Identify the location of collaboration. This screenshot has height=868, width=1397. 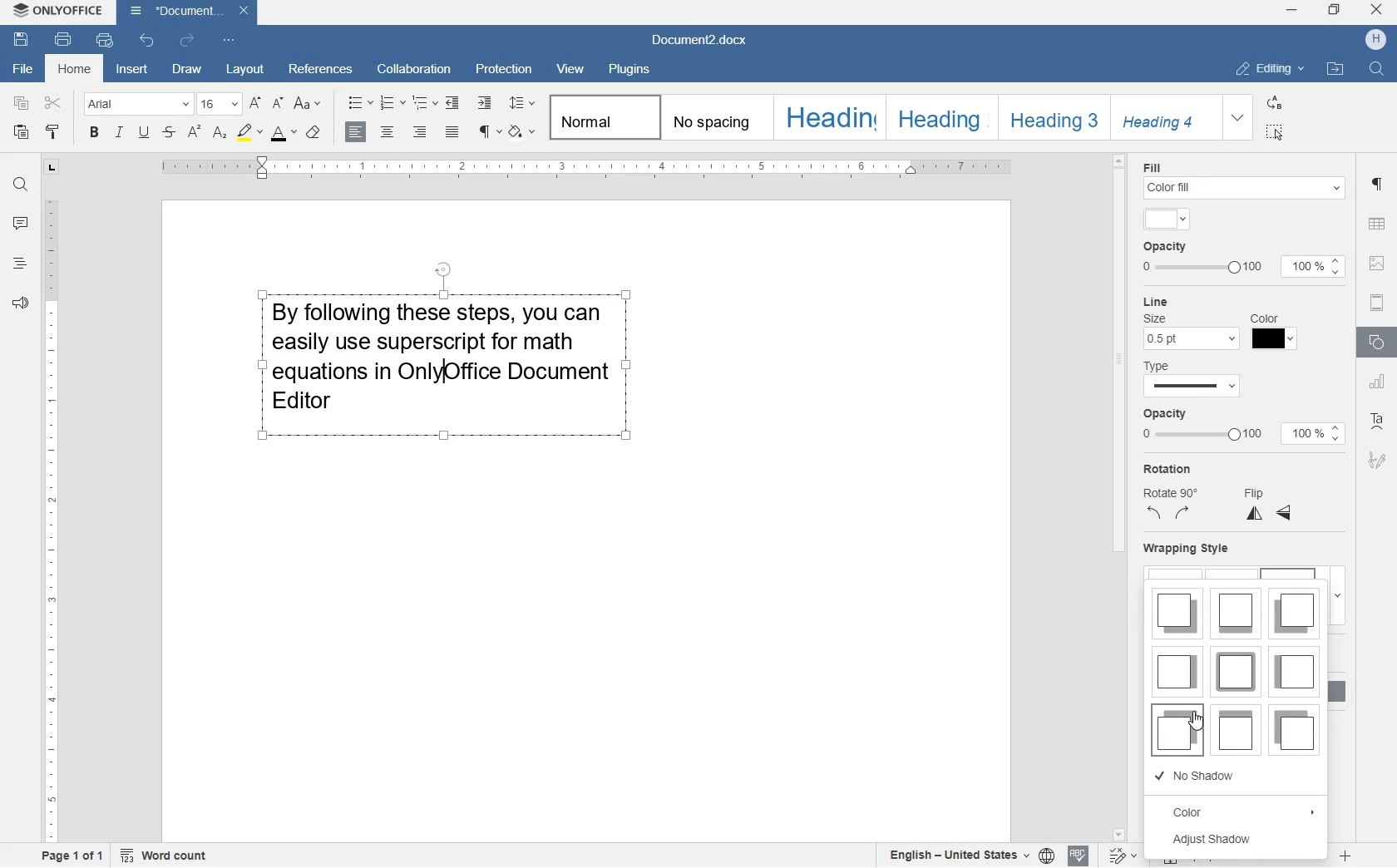
(417, 68).